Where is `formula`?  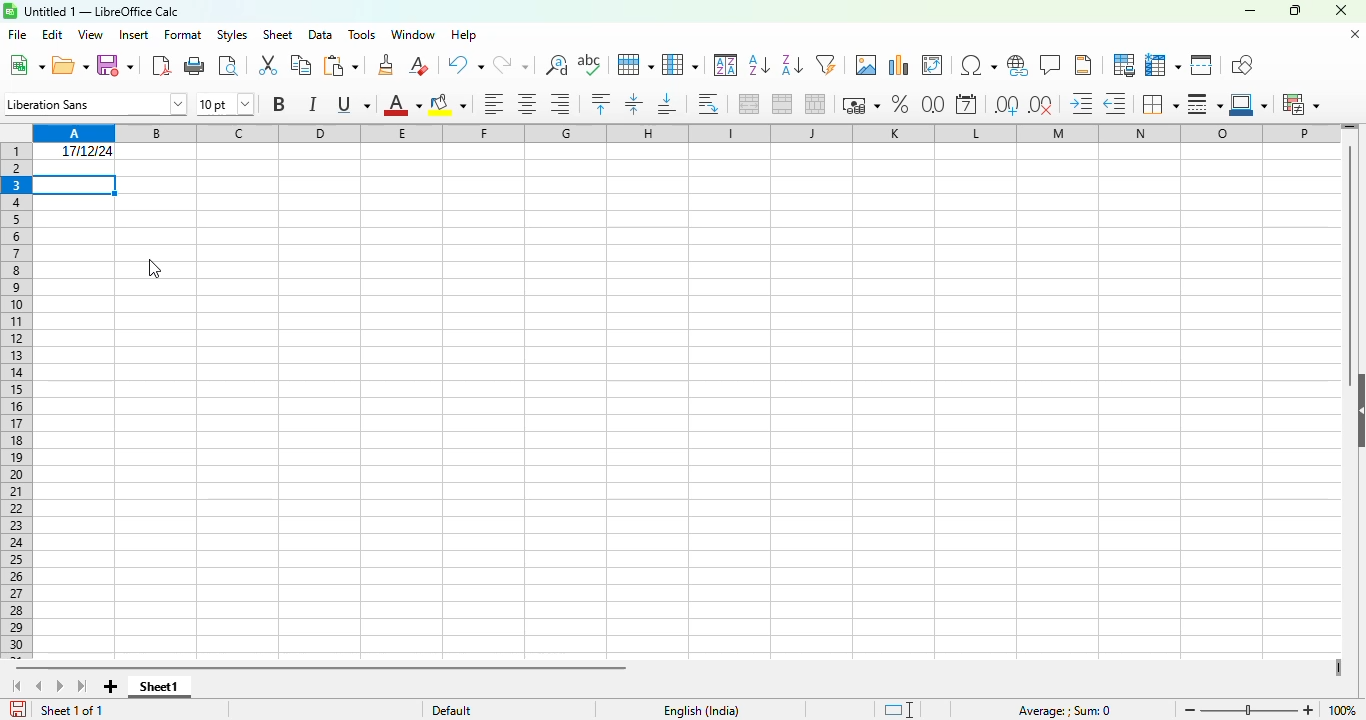 formula is located at coordinates (1064, 711).